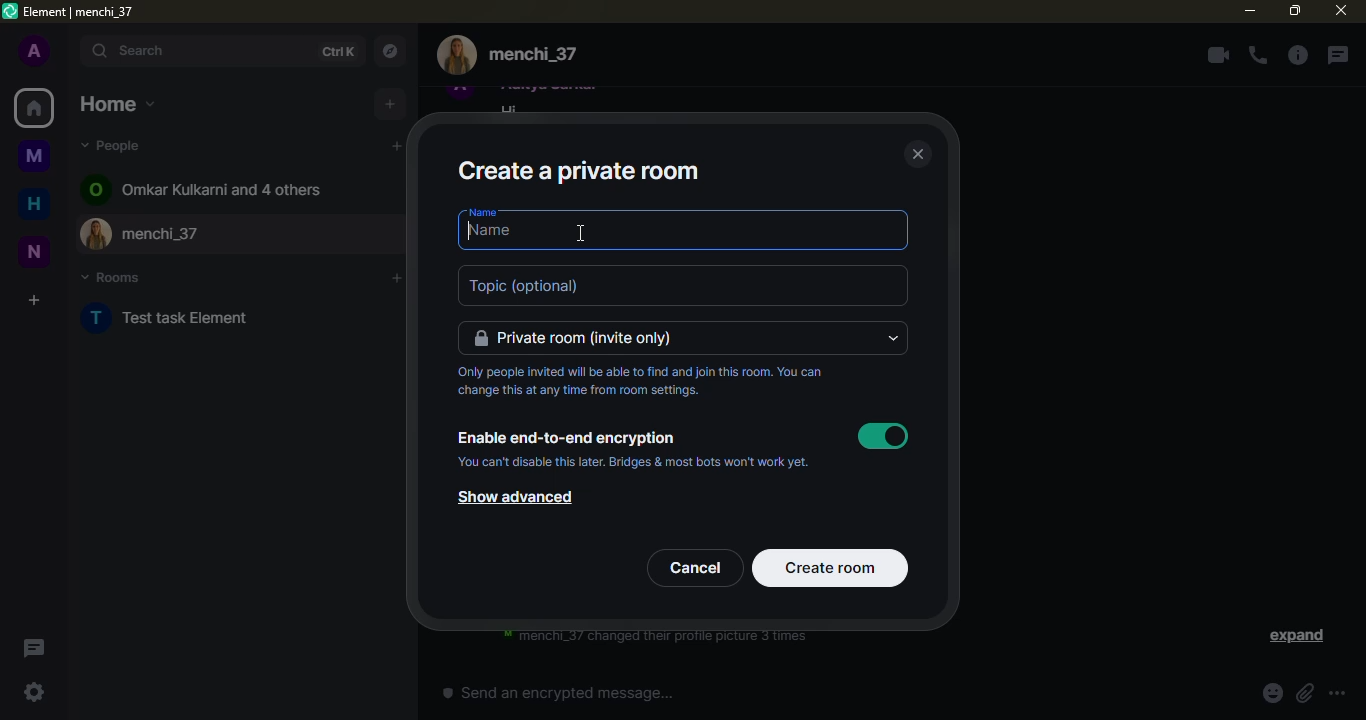  I want to click on minimize, so click(1250, 10).